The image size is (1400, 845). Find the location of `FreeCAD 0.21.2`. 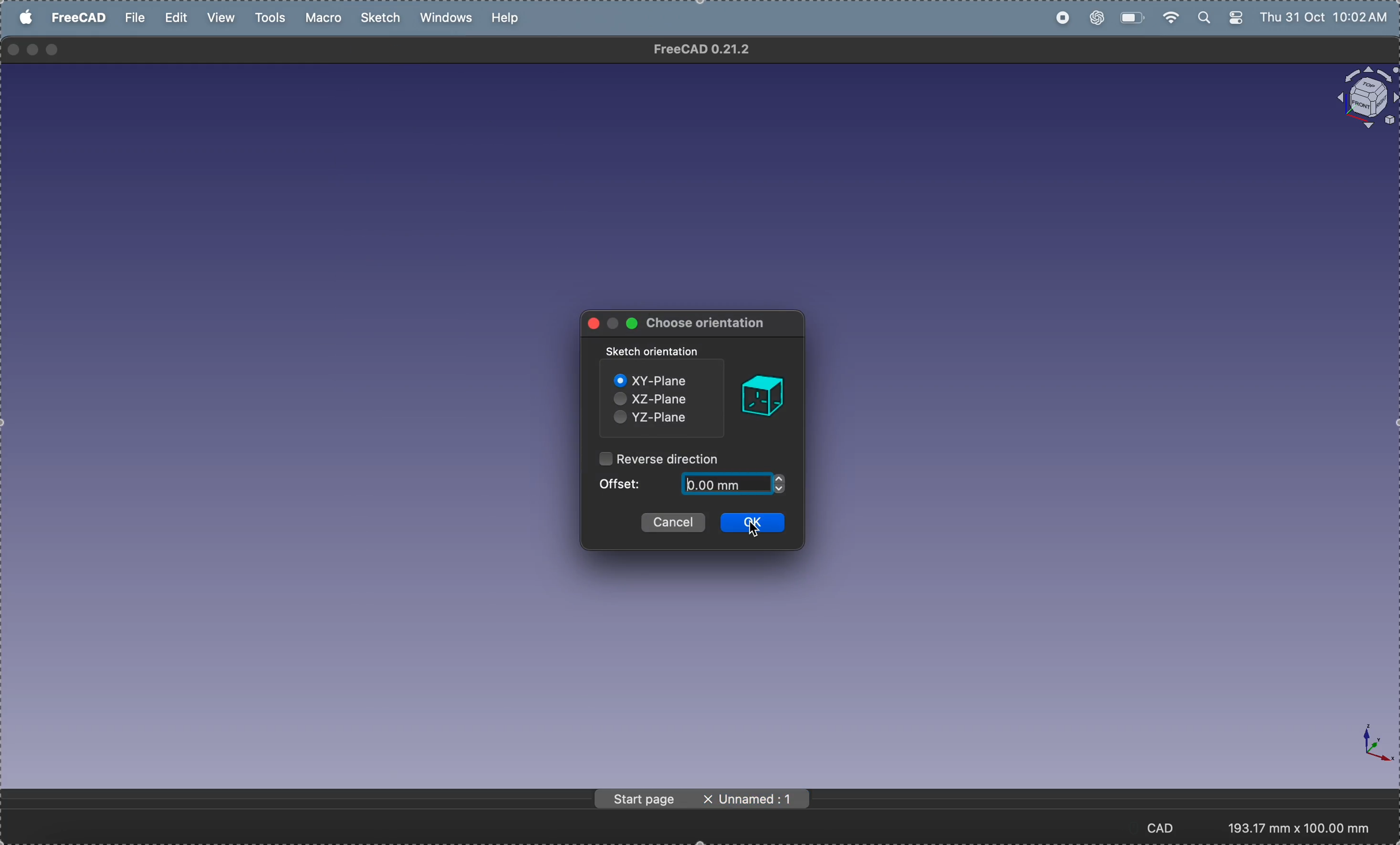

FreeCAD 0.21.2 is located at coordinates (703, 49).